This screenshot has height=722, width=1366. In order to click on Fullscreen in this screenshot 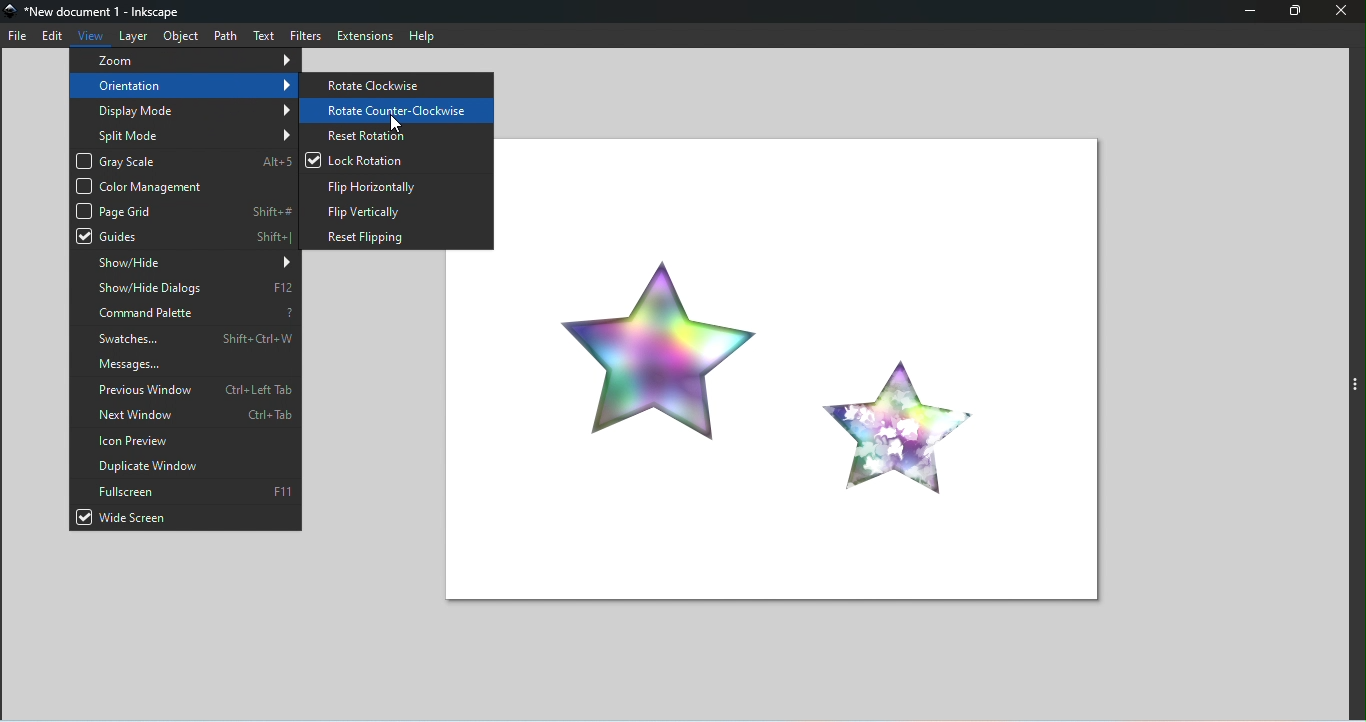, I will do `click(184, 492)`.